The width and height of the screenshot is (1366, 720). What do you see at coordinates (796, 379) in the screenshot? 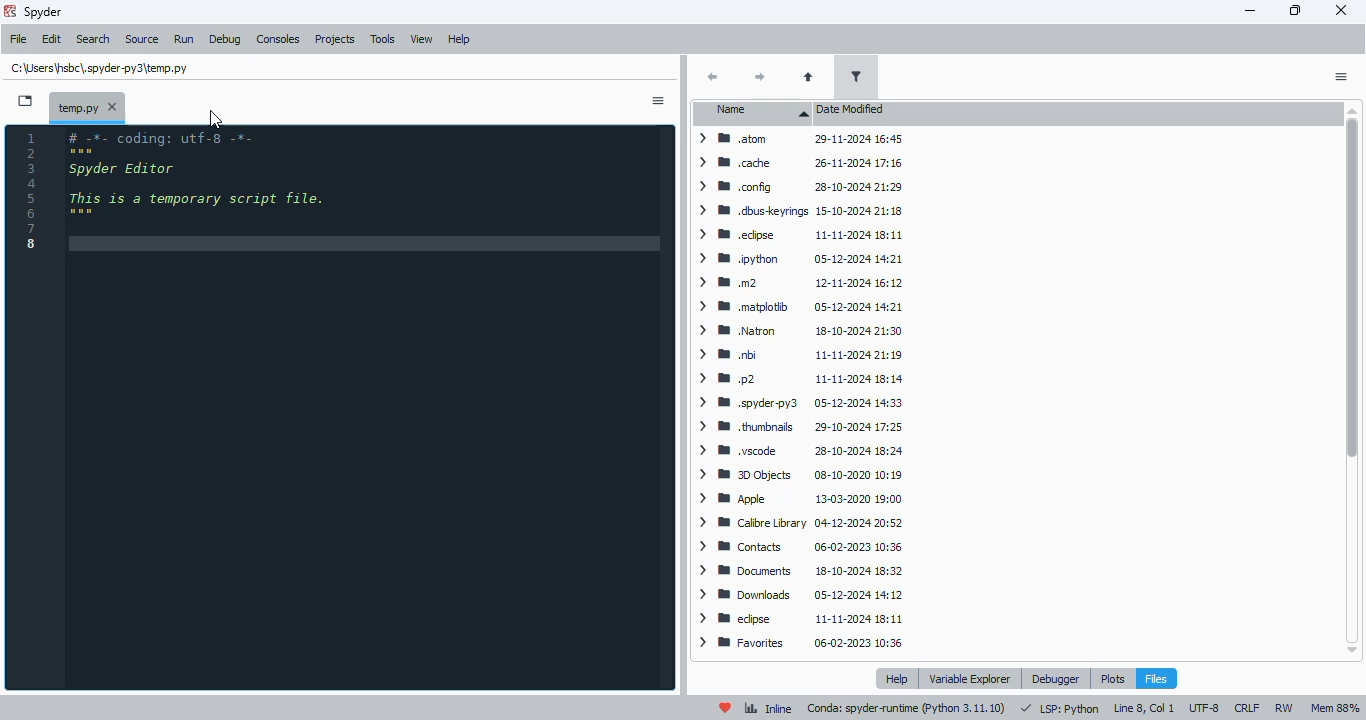
I see `> mp2 11-11-2024 18:14` at bounding box center [796, 379].